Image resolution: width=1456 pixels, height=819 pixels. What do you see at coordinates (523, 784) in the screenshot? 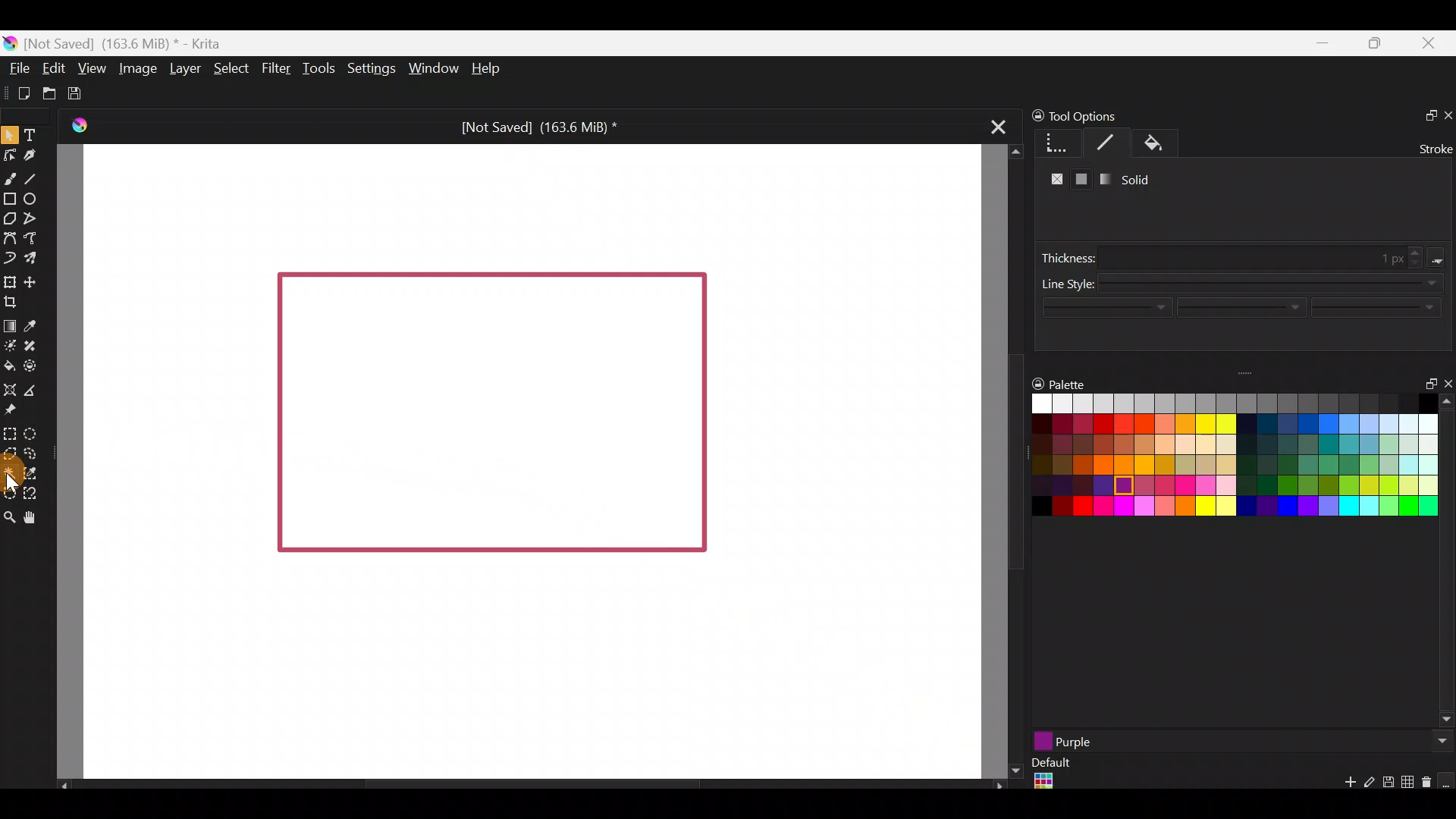
I see `Scroll bar` at bounding box center [523, 784].